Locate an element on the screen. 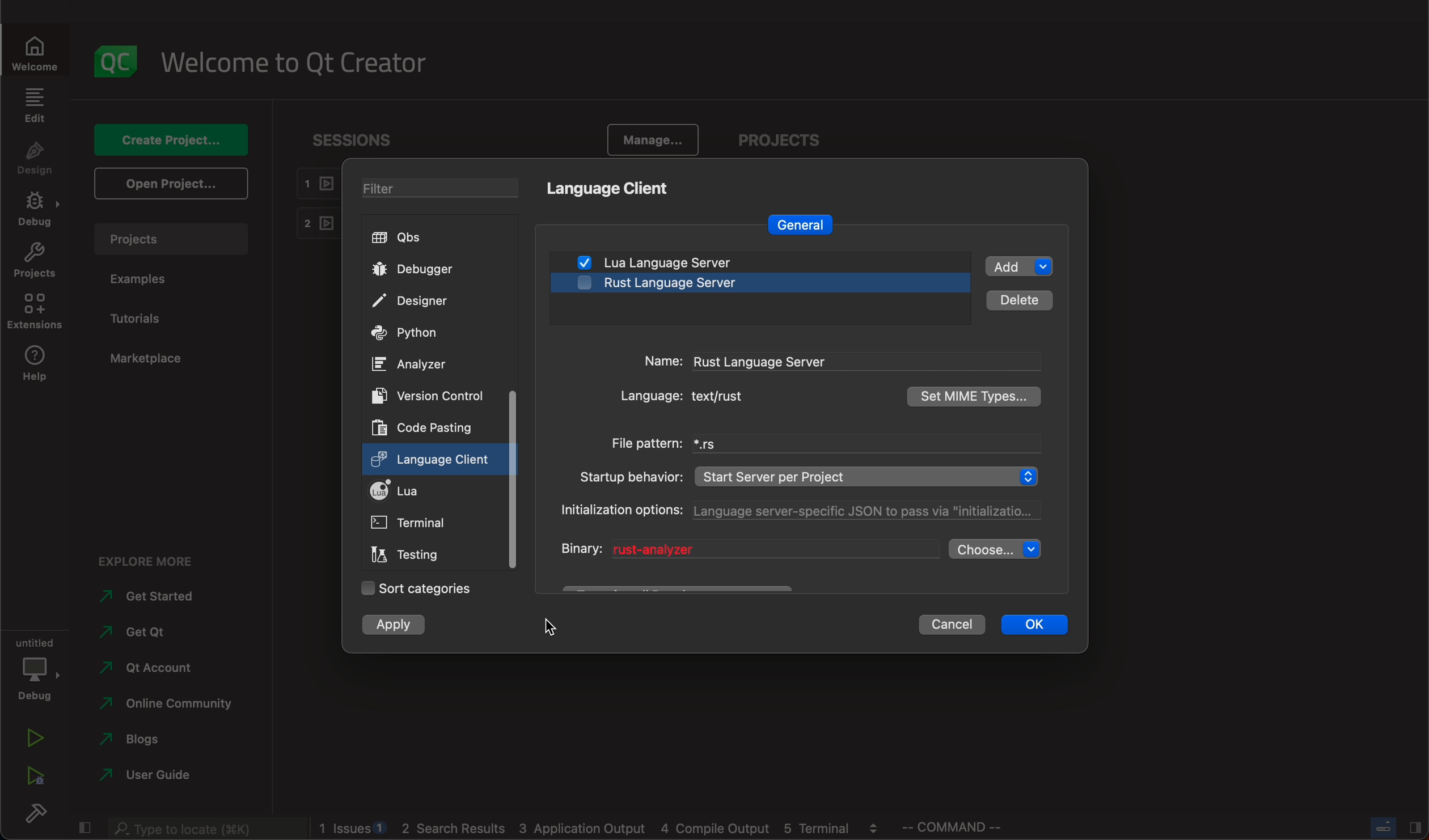  scroll bar is located at coordinates (515, 480).